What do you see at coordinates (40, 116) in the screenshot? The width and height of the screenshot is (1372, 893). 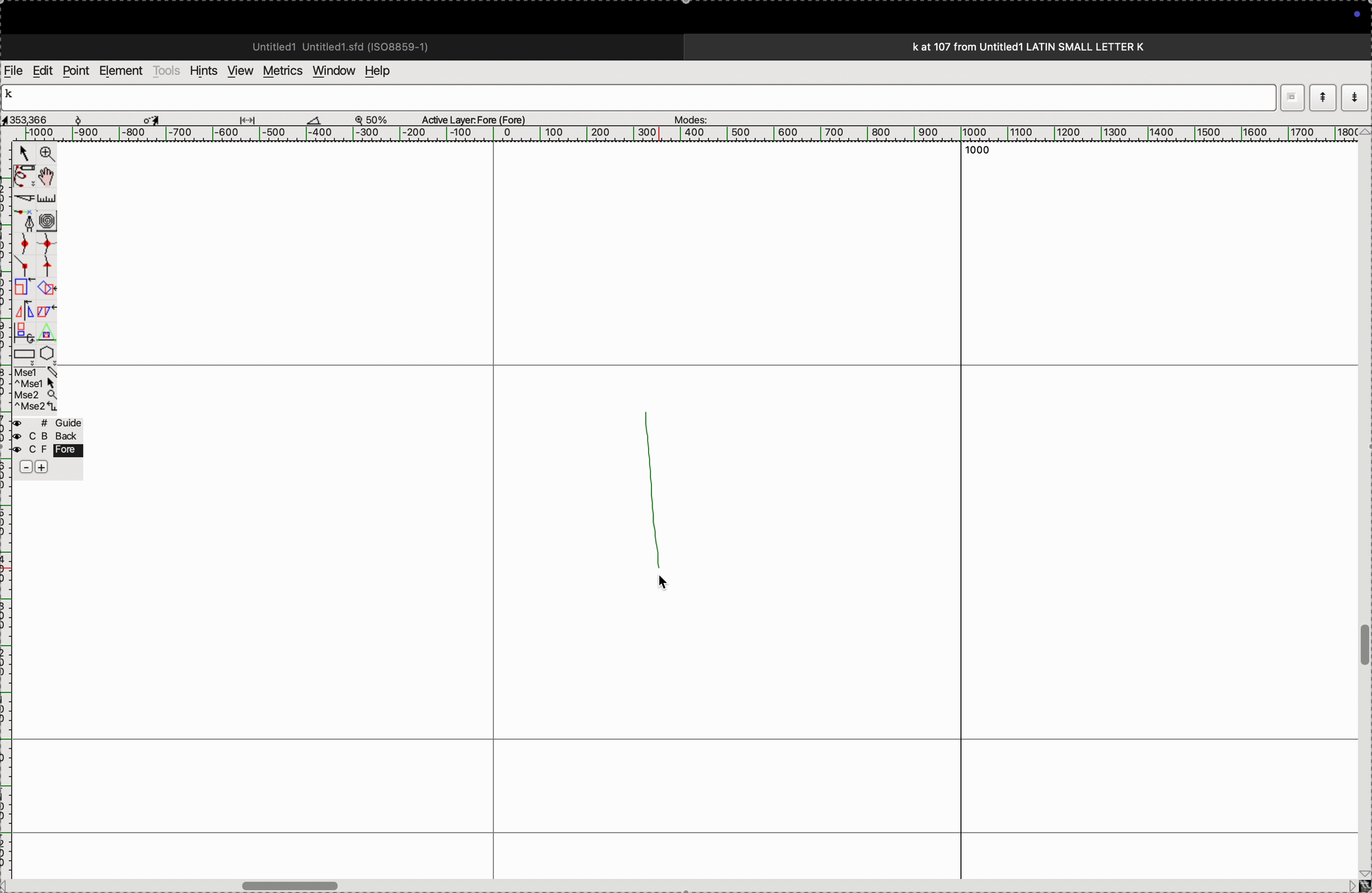 I see `co ordinates` at bounding box center [40, 116].